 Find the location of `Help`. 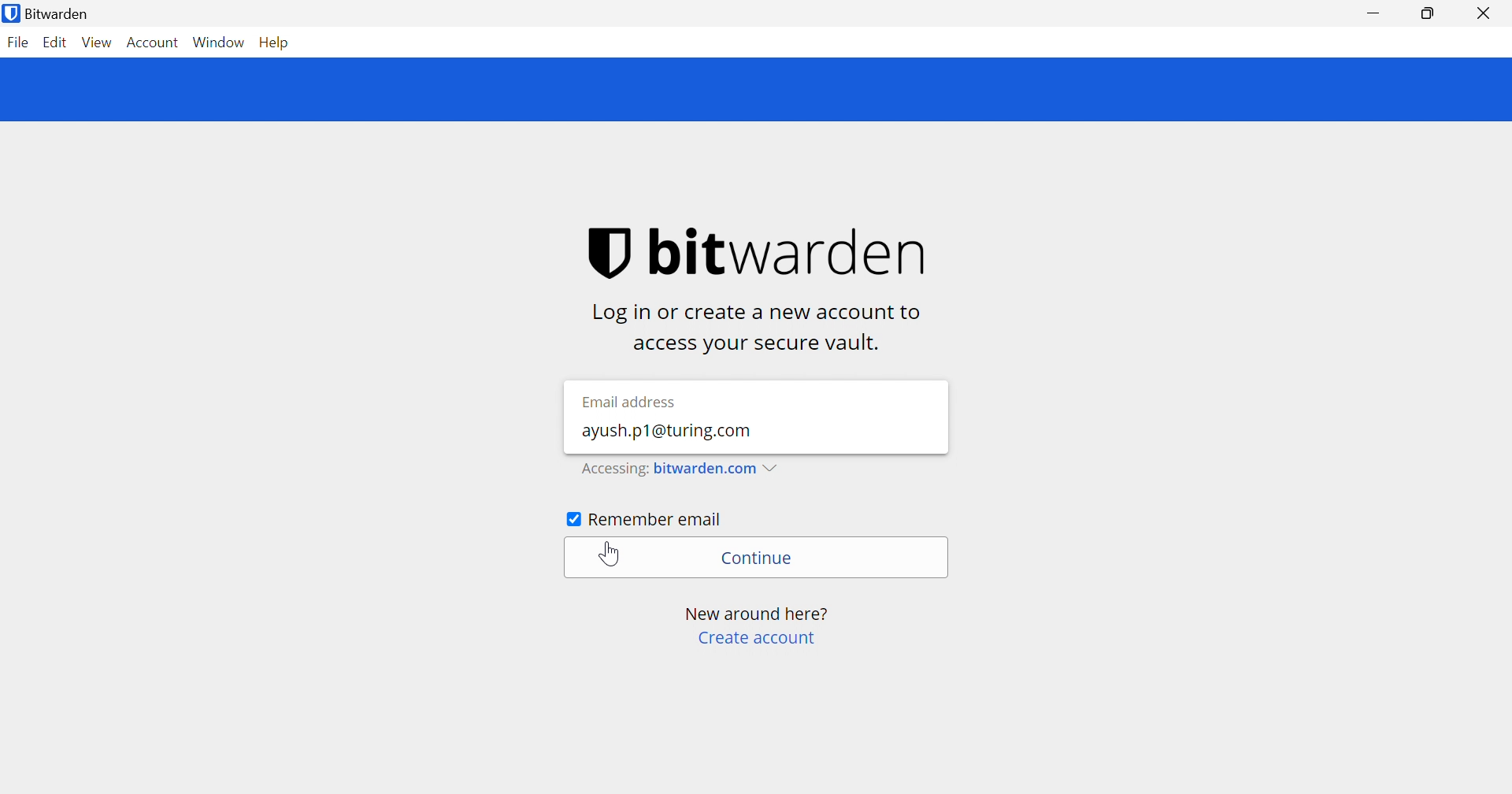

Help is located at coordinates (276, 42).